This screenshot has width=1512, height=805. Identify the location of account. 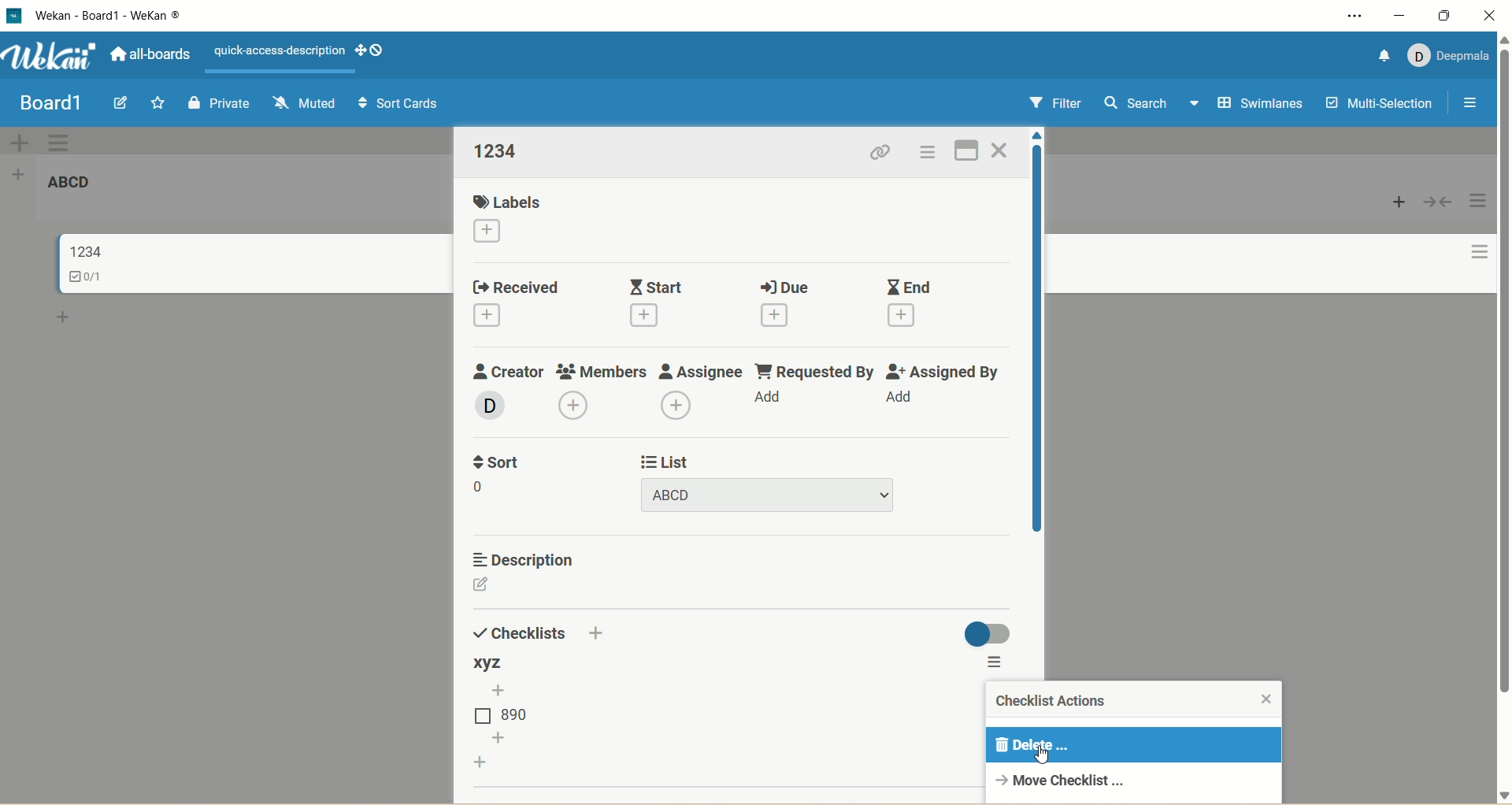
(1440, 57).